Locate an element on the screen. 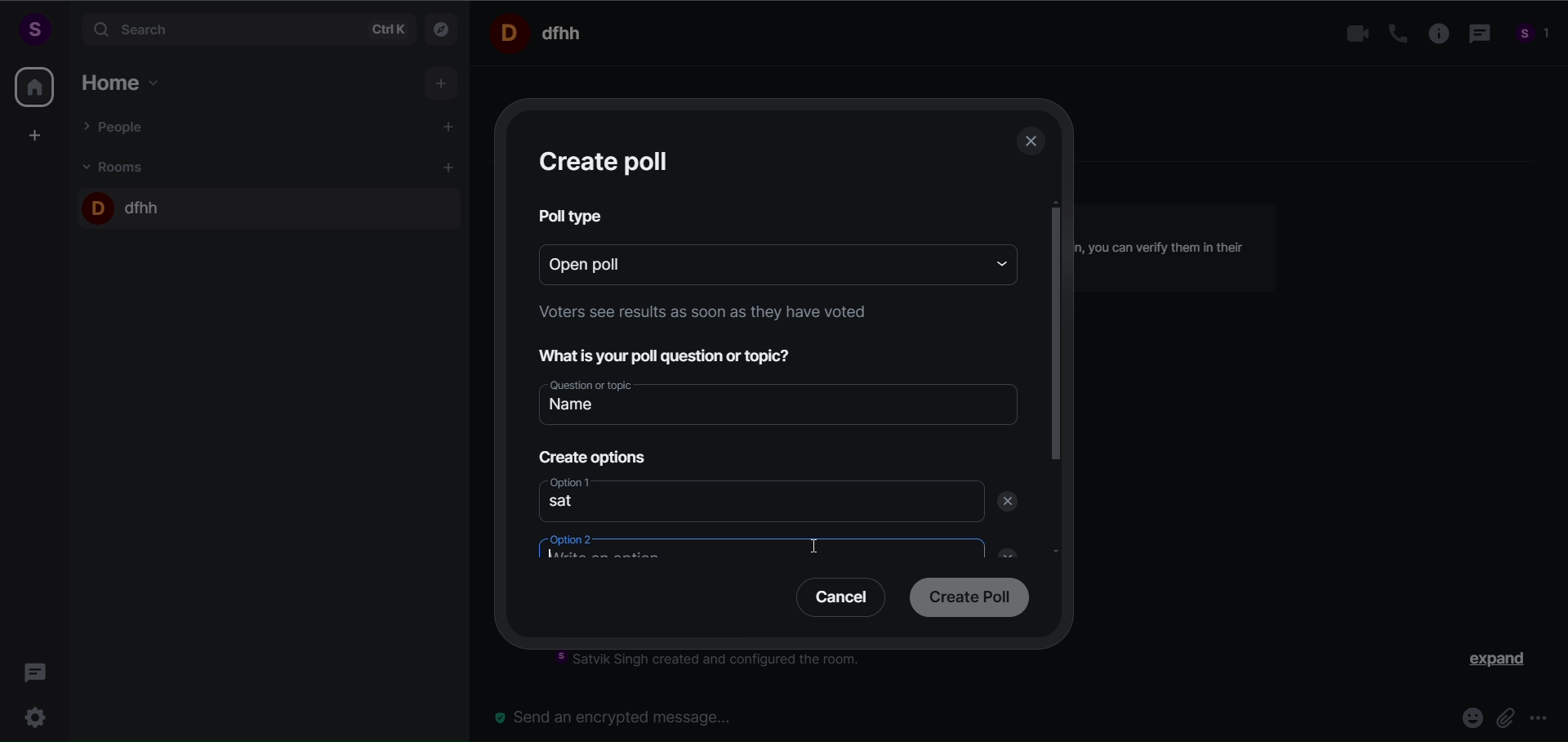  create poll is located at coordinates (608, 161).